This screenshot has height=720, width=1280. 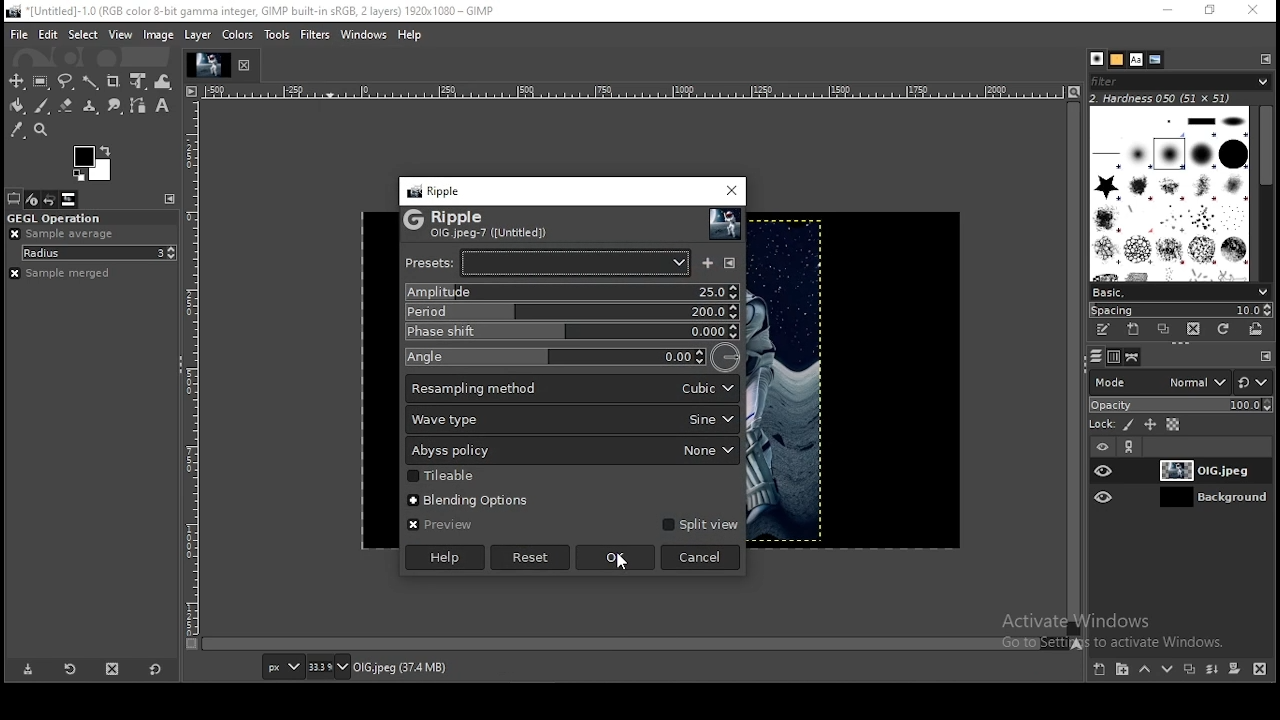 I want to click on edit this brush, so click(x=1104, y=332).